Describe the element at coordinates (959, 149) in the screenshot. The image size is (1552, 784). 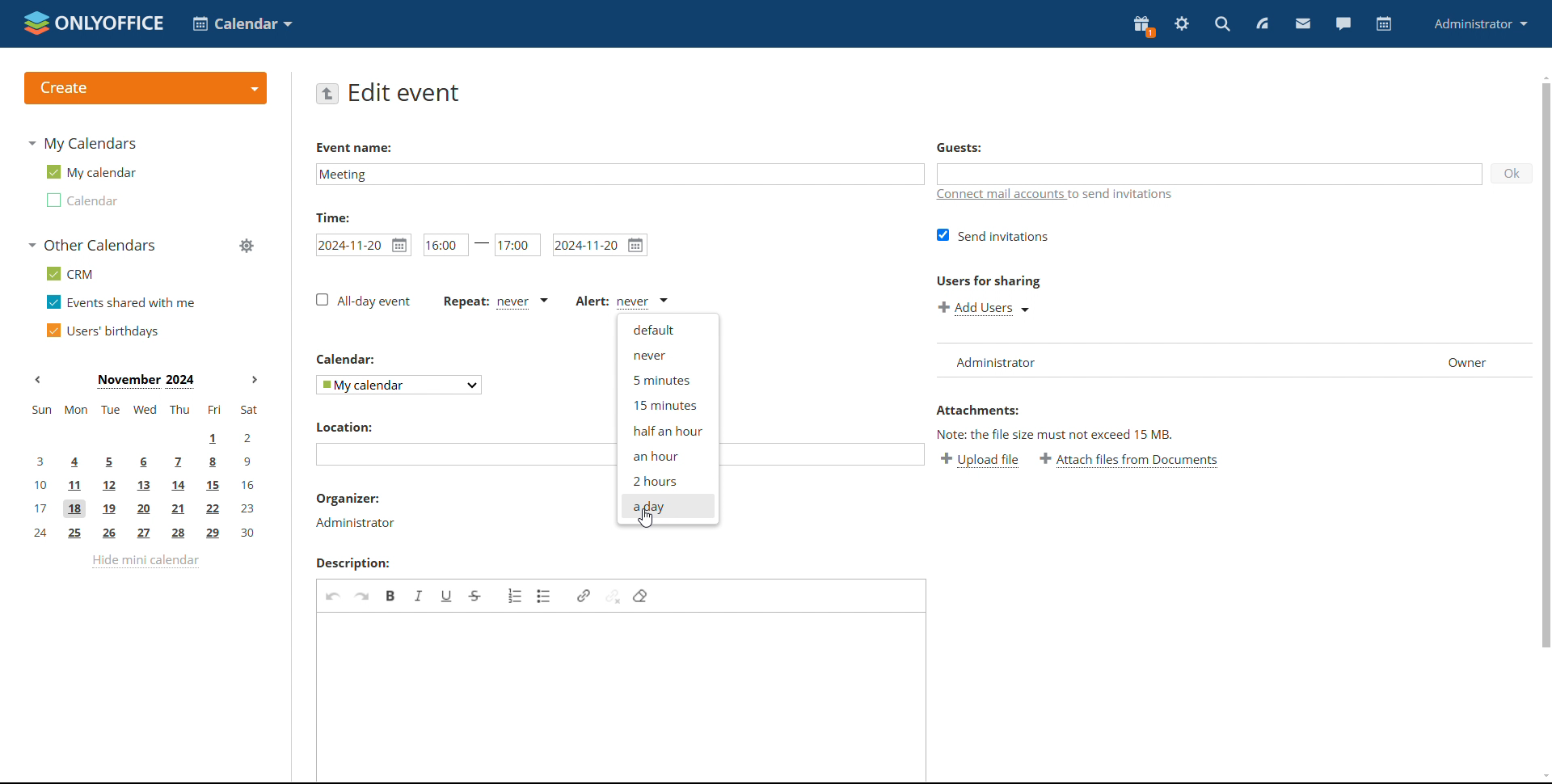
I see `guests` at that location.